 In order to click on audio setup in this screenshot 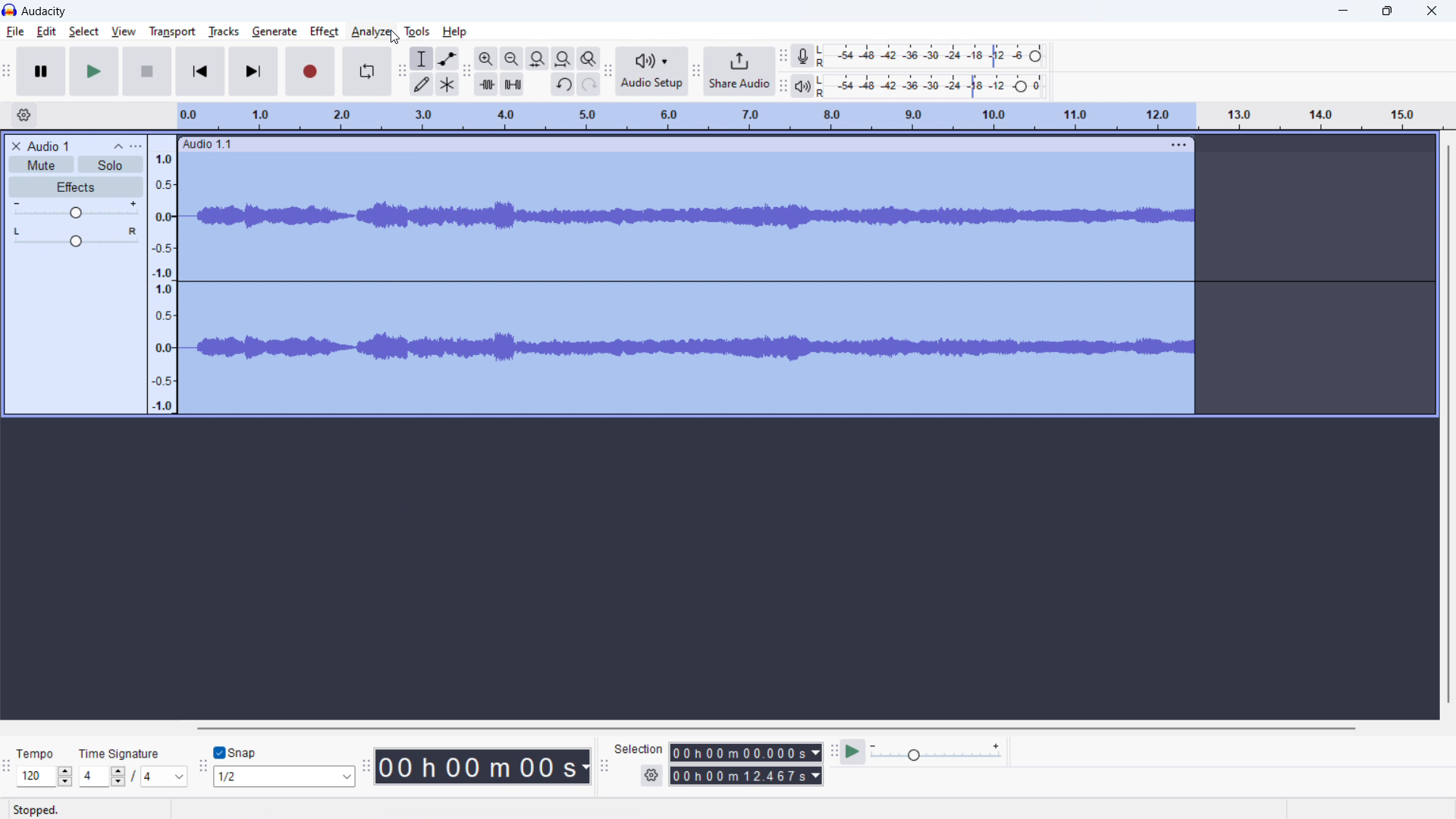, I will do `click(607, 72)`.